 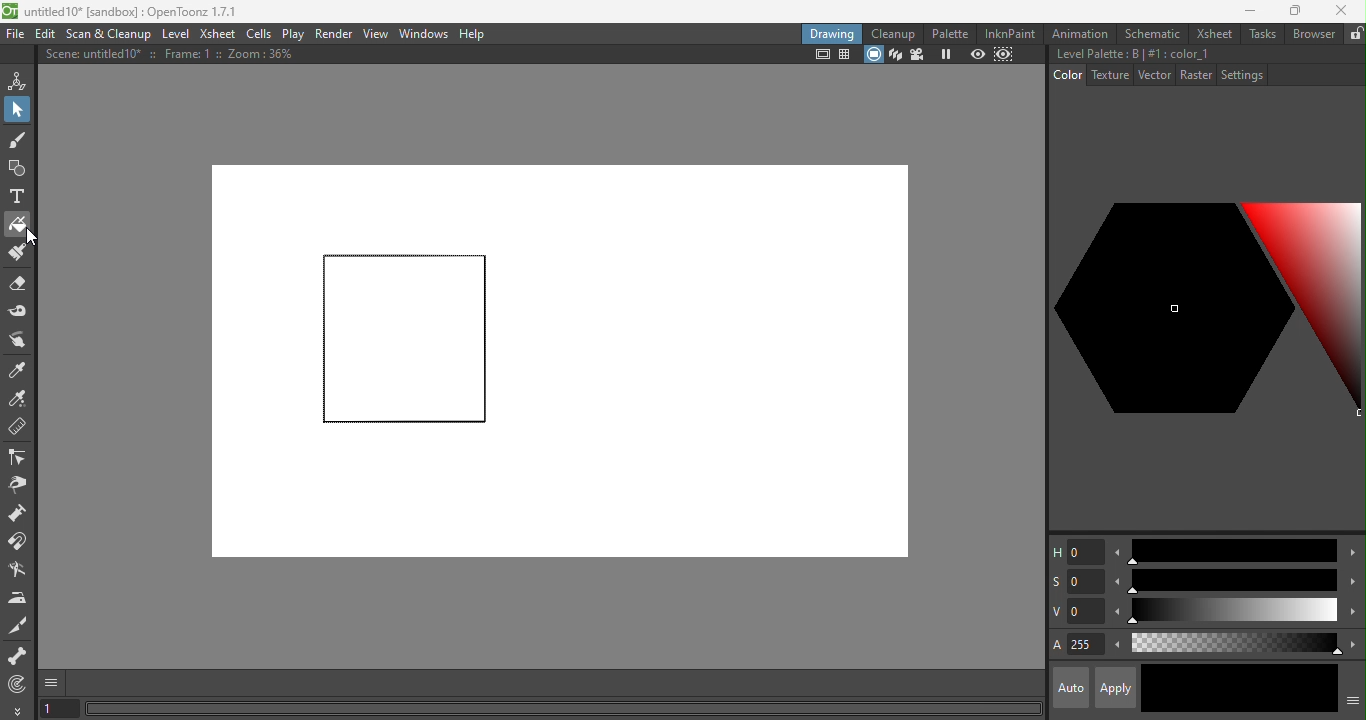 What do you see at coordinates (893, 55) in the screenshot?
I see `3D View` at bounding box center [893, 55].